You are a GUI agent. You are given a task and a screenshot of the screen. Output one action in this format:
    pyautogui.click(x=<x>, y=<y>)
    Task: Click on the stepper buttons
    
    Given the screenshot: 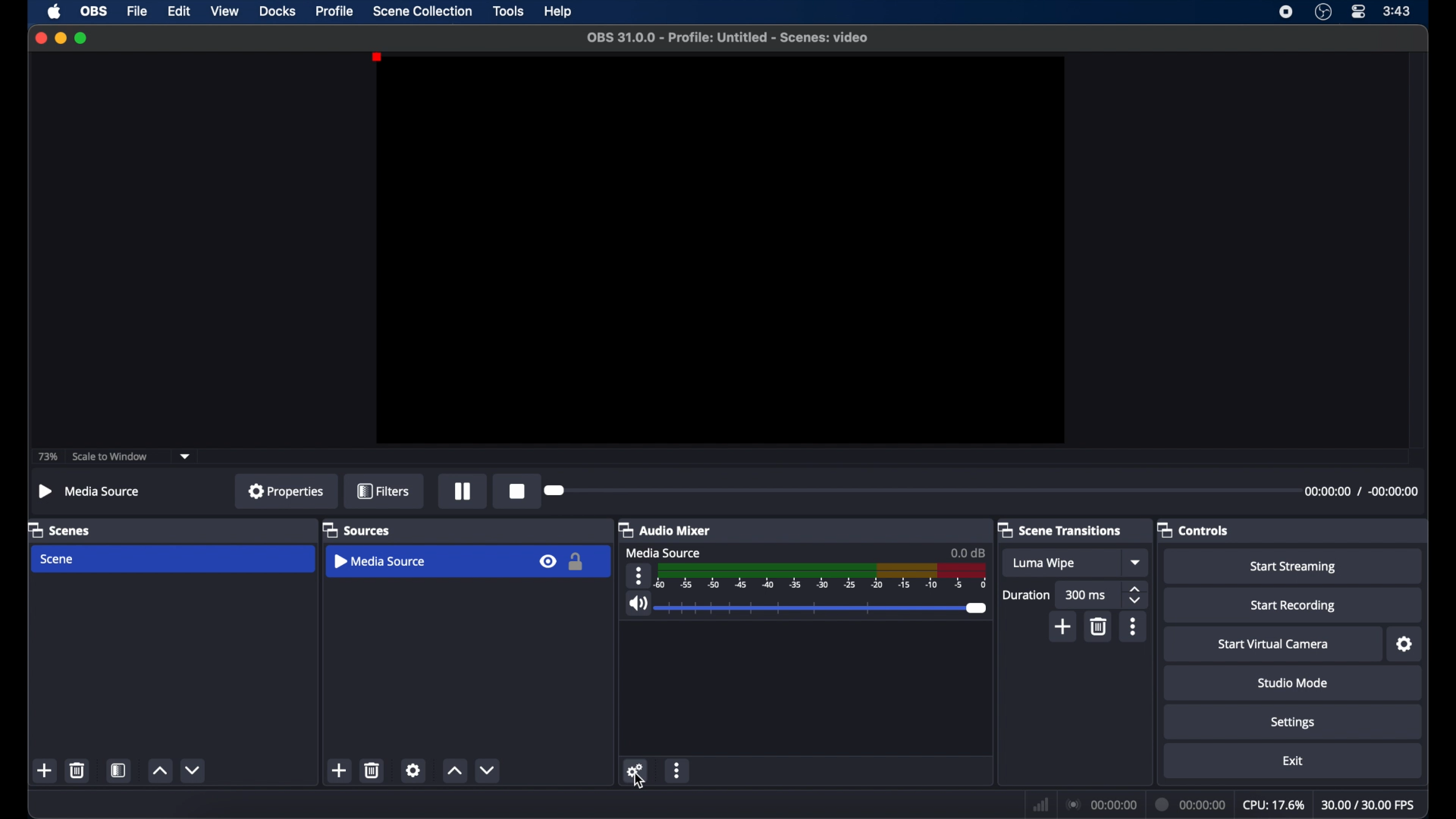 What is the action you would take?
    pyautogui.click(x=1134, y=595)
    